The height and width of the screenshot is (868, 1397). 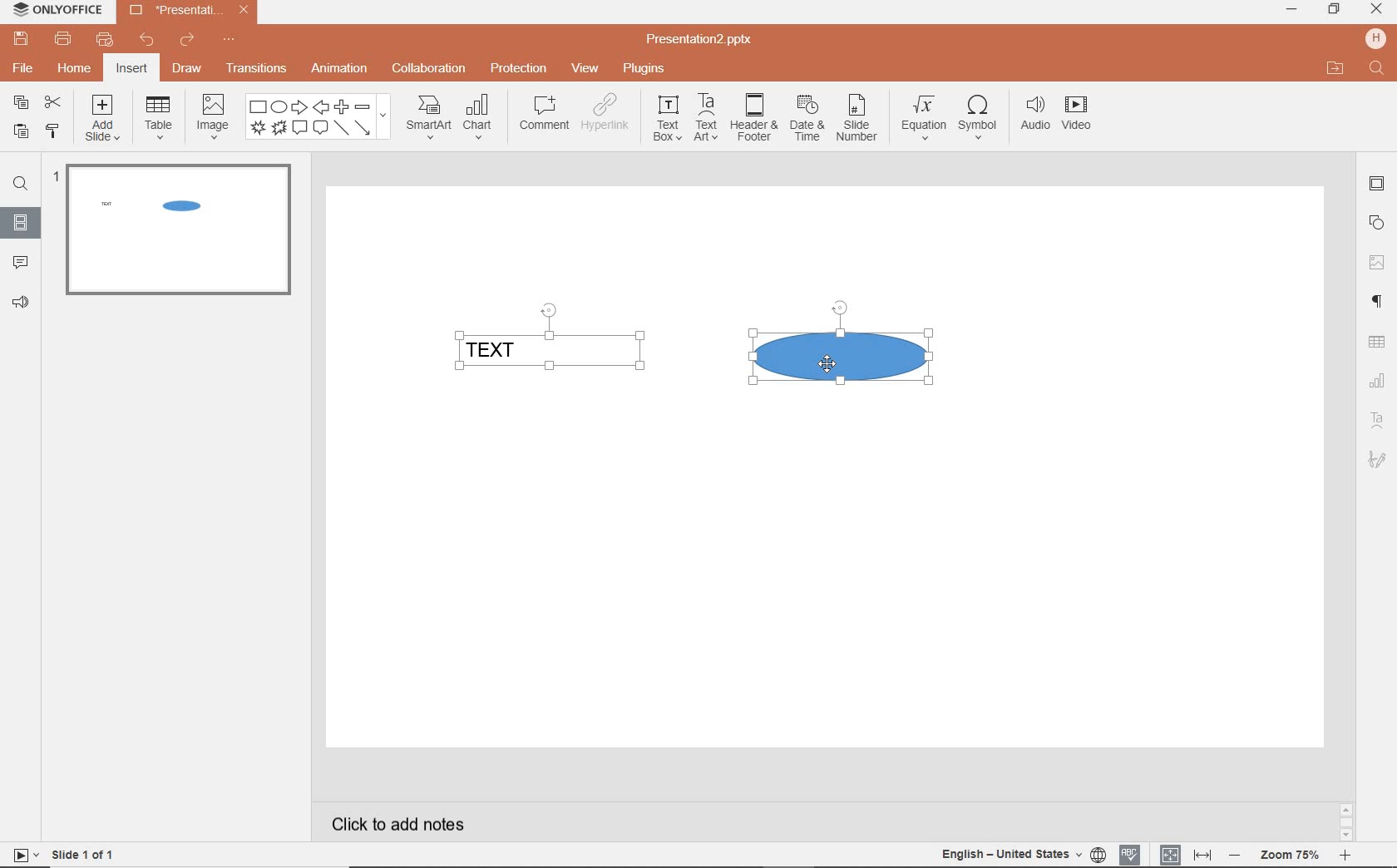 I want to click on CLICK TO ADD NOTES, so click(x=402, y=822).